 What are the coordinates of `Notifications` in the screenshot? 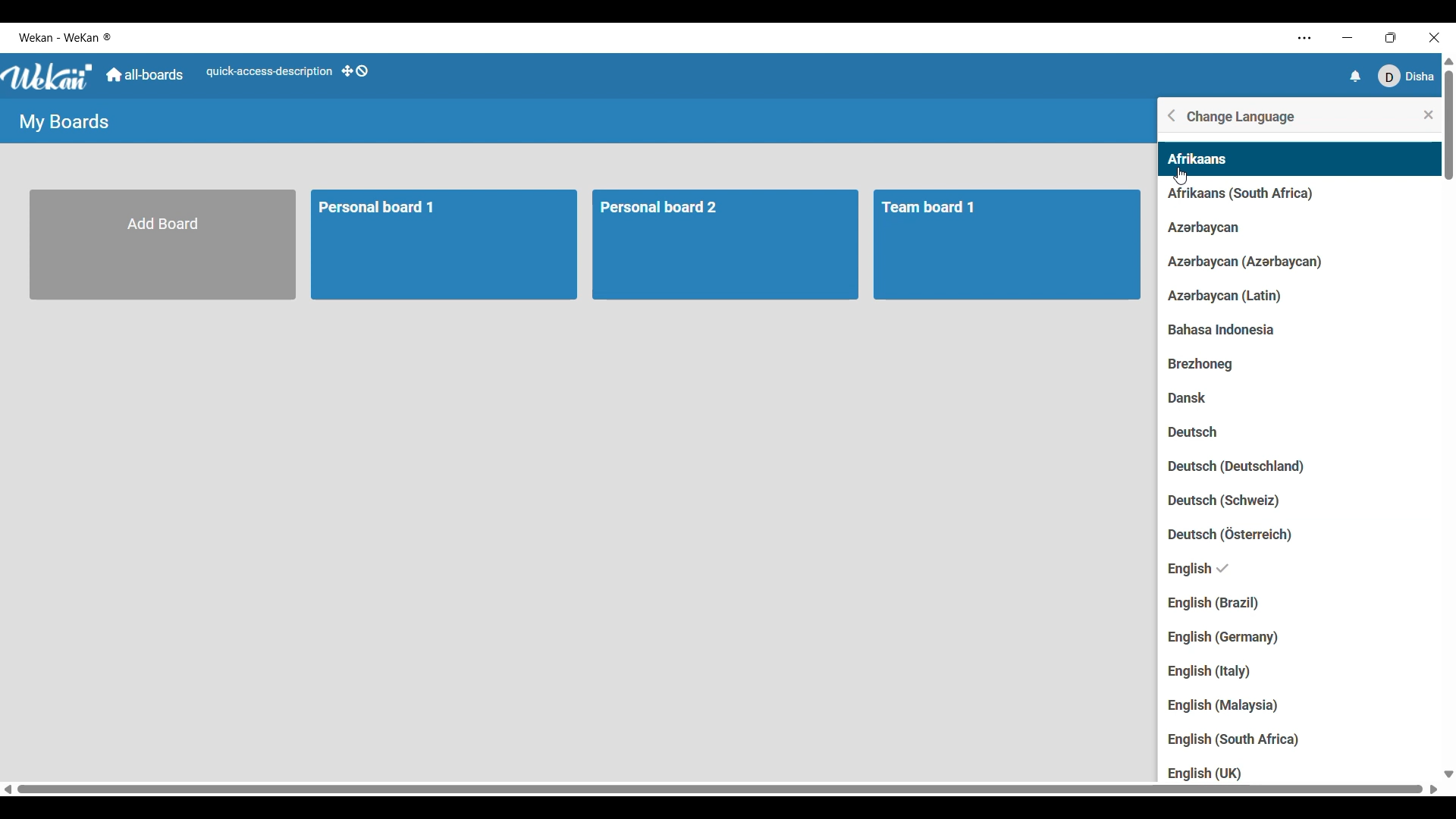 It's located at (1357, 76).